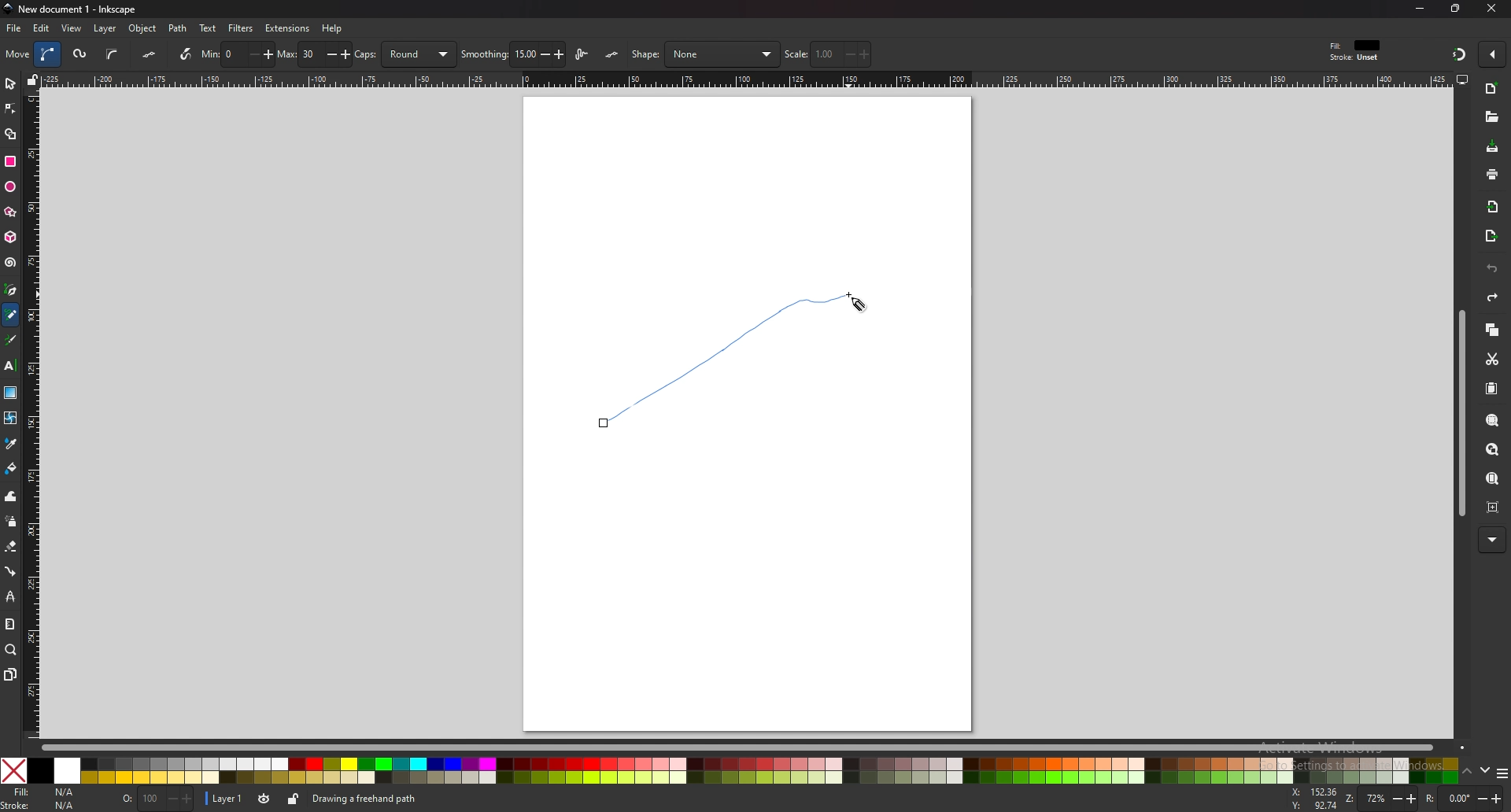 The width and height of the screenshot is (1511, 812). I want to click on text, so click(10, 365).